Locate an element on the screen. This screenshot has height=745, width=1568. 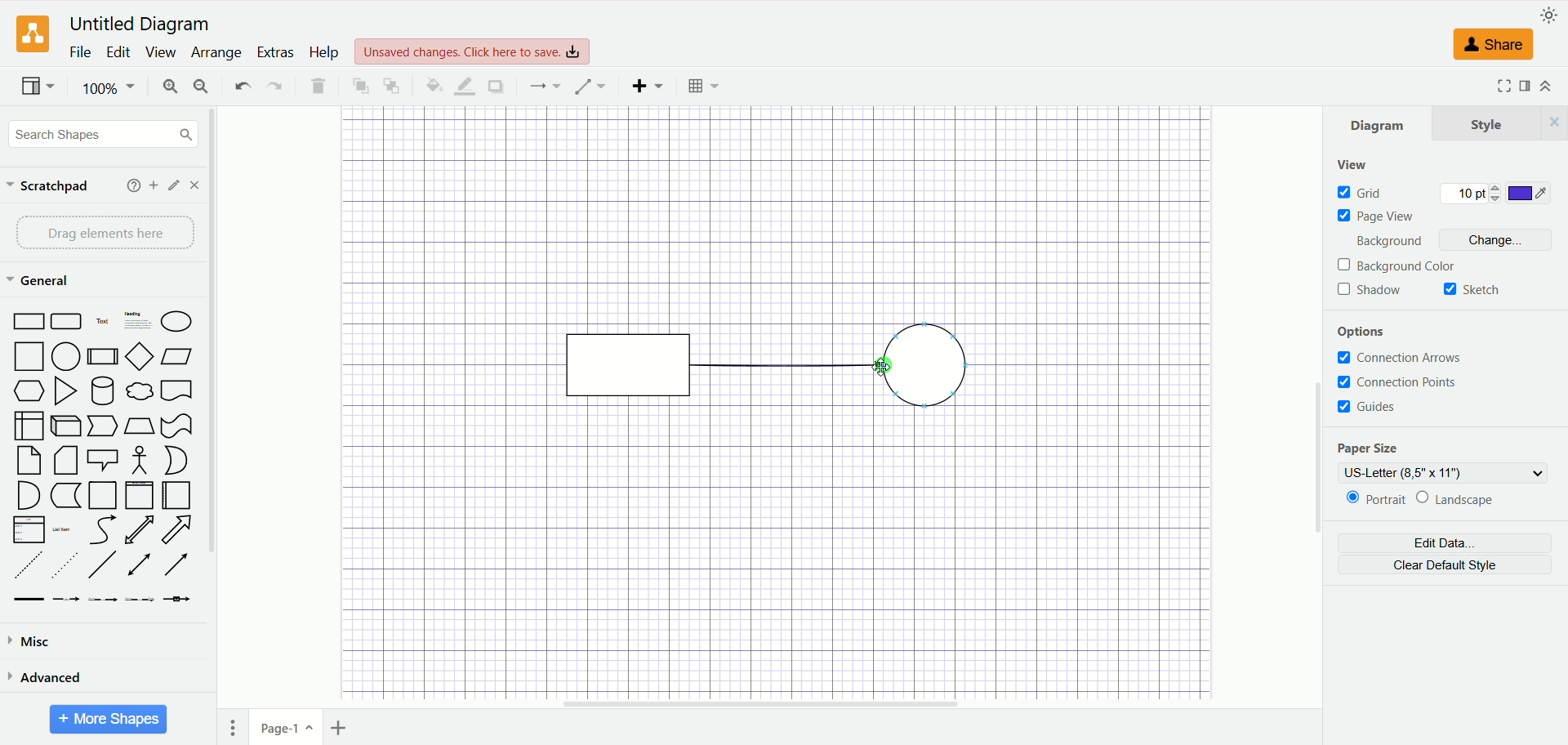
Triangle is located at coordinates (68, 391).